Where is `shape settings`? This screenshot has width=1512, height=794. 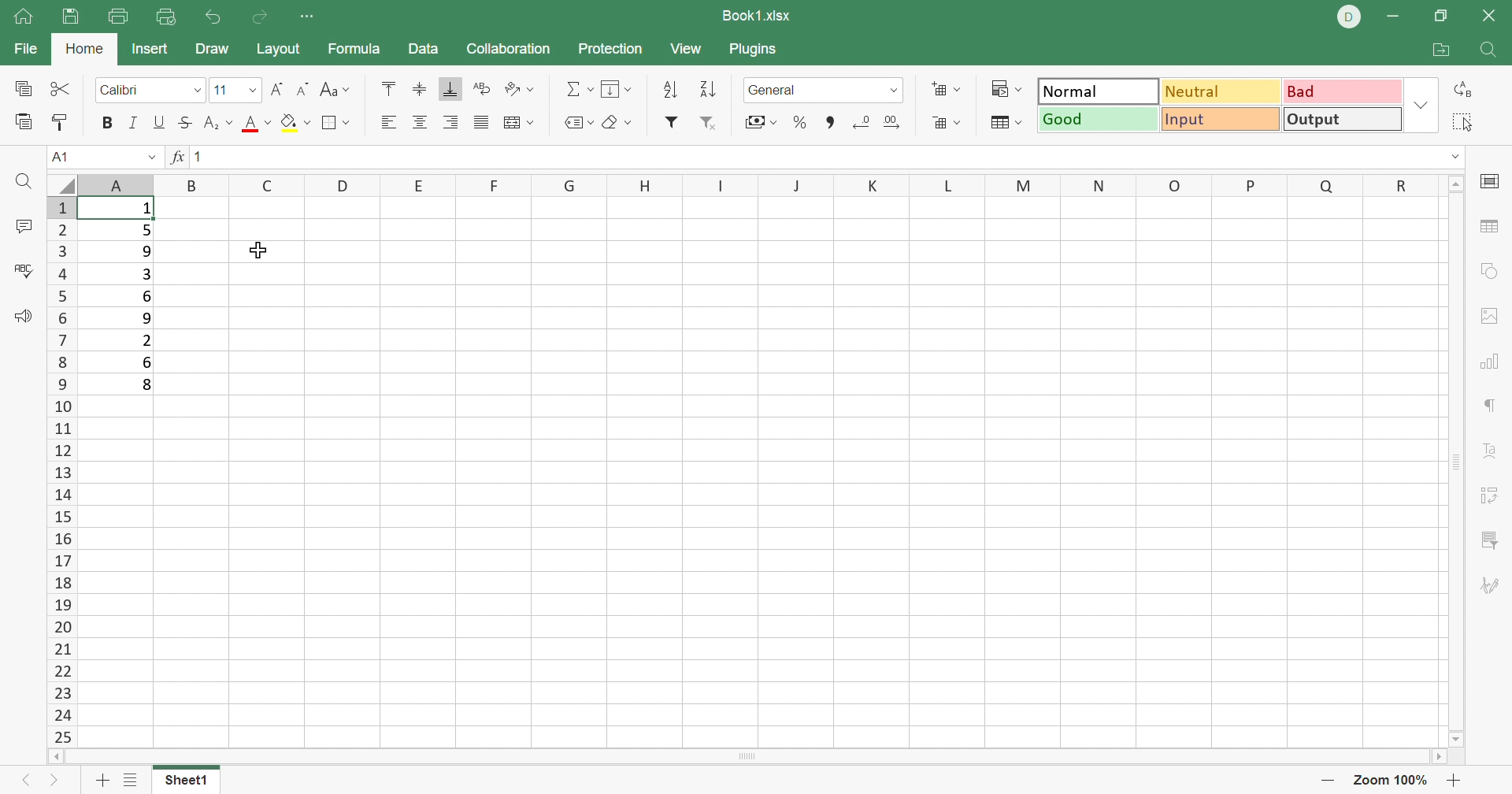
shape settings is located at coordinates (1495, 269).